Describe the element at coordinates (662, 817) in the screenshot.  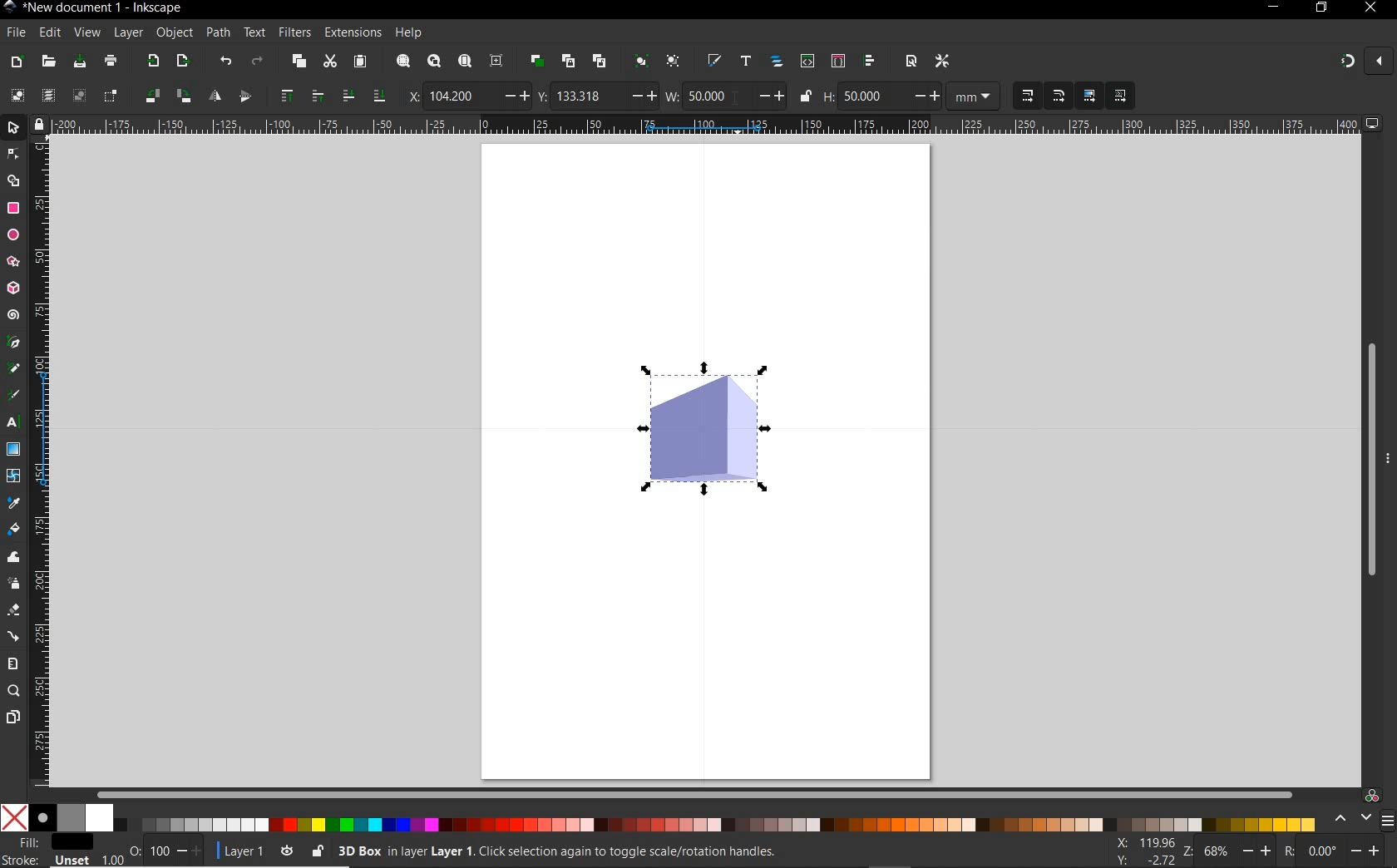
I see `color mode` at that location.